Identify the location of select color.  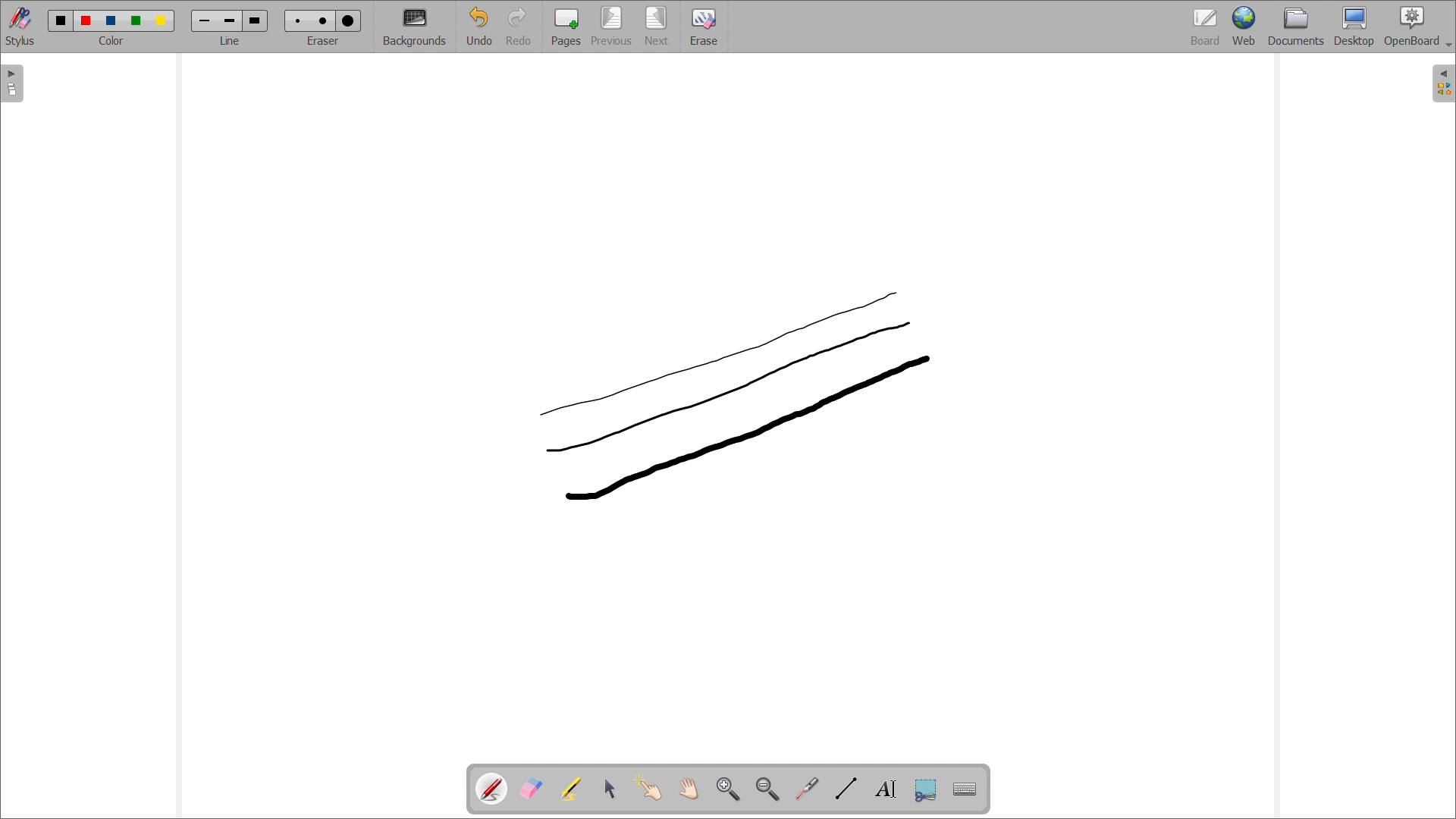
(110, 41).